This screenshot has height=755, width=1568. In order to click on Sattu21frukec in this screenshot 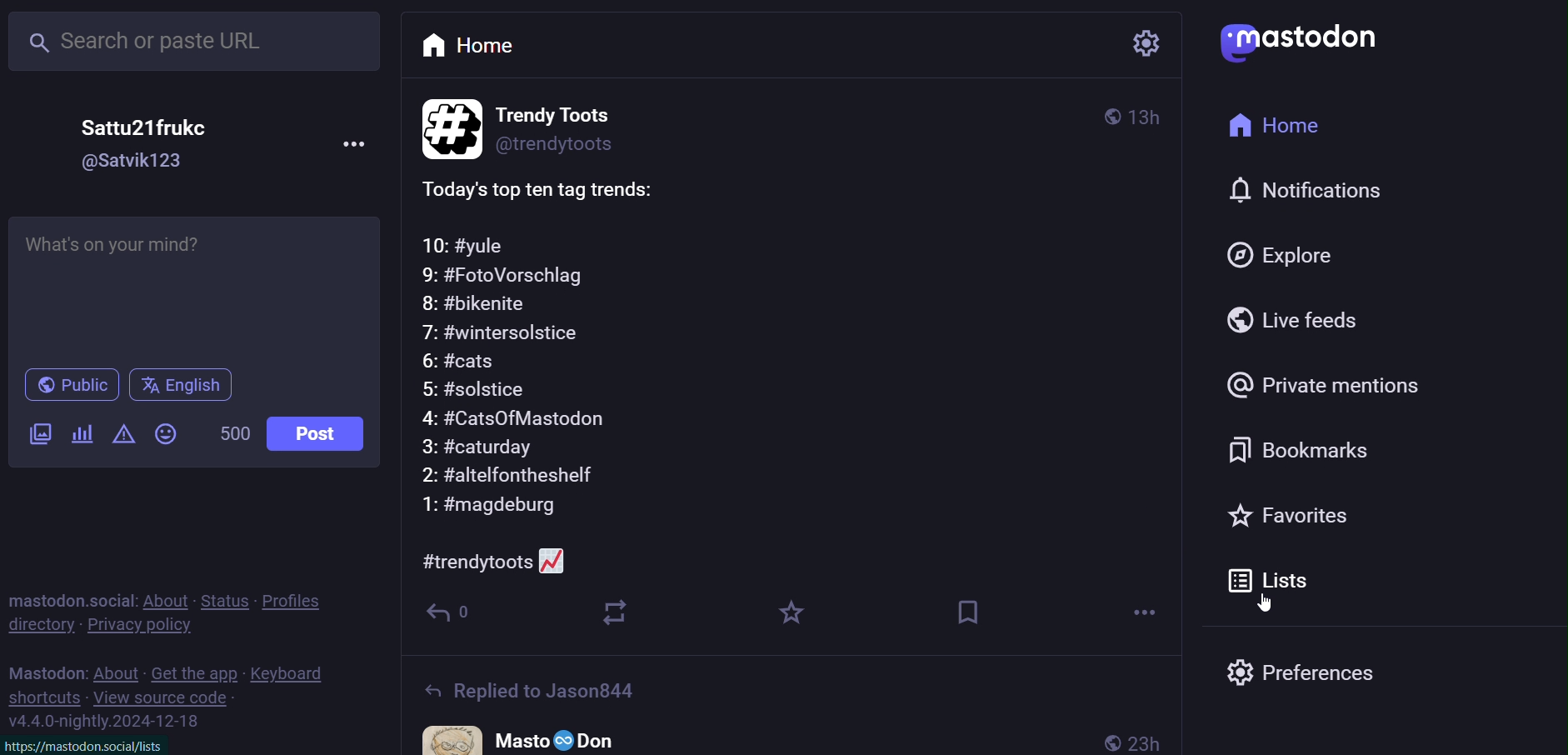, I will do `click(145, 120)`.